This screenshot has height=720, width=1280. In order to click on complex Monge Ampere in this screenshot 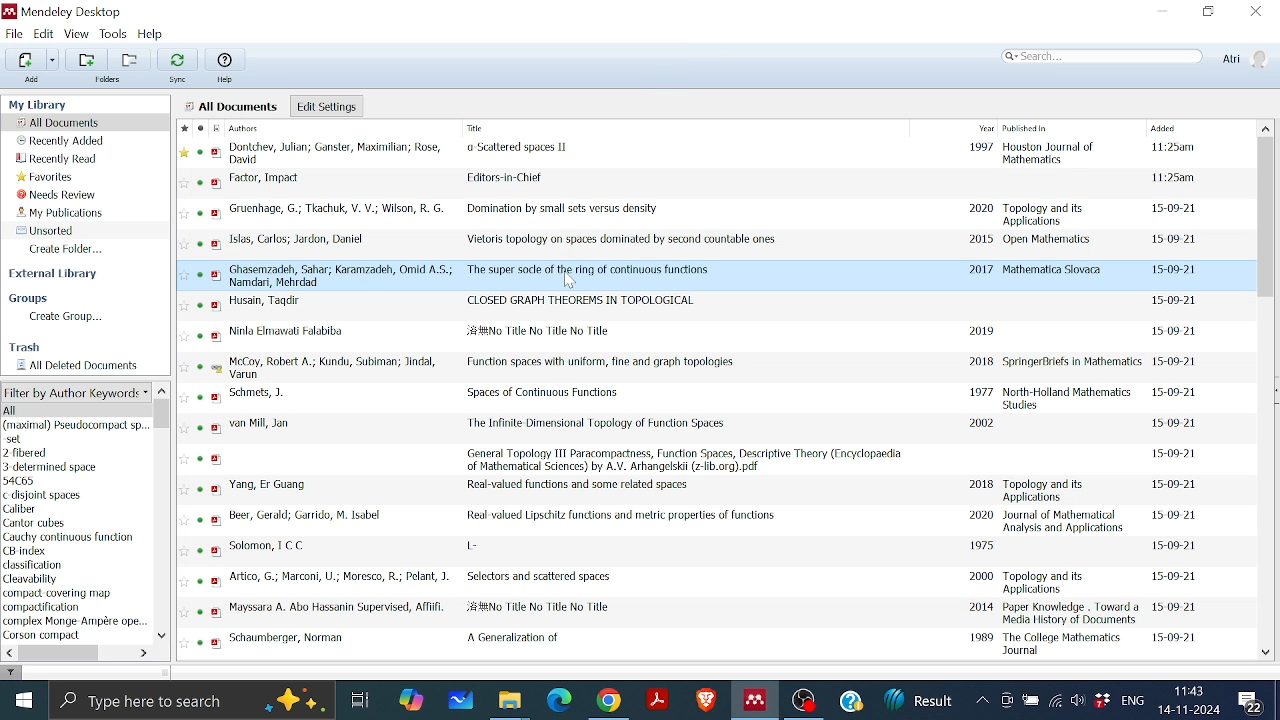, I will do `click(74, 620)`.